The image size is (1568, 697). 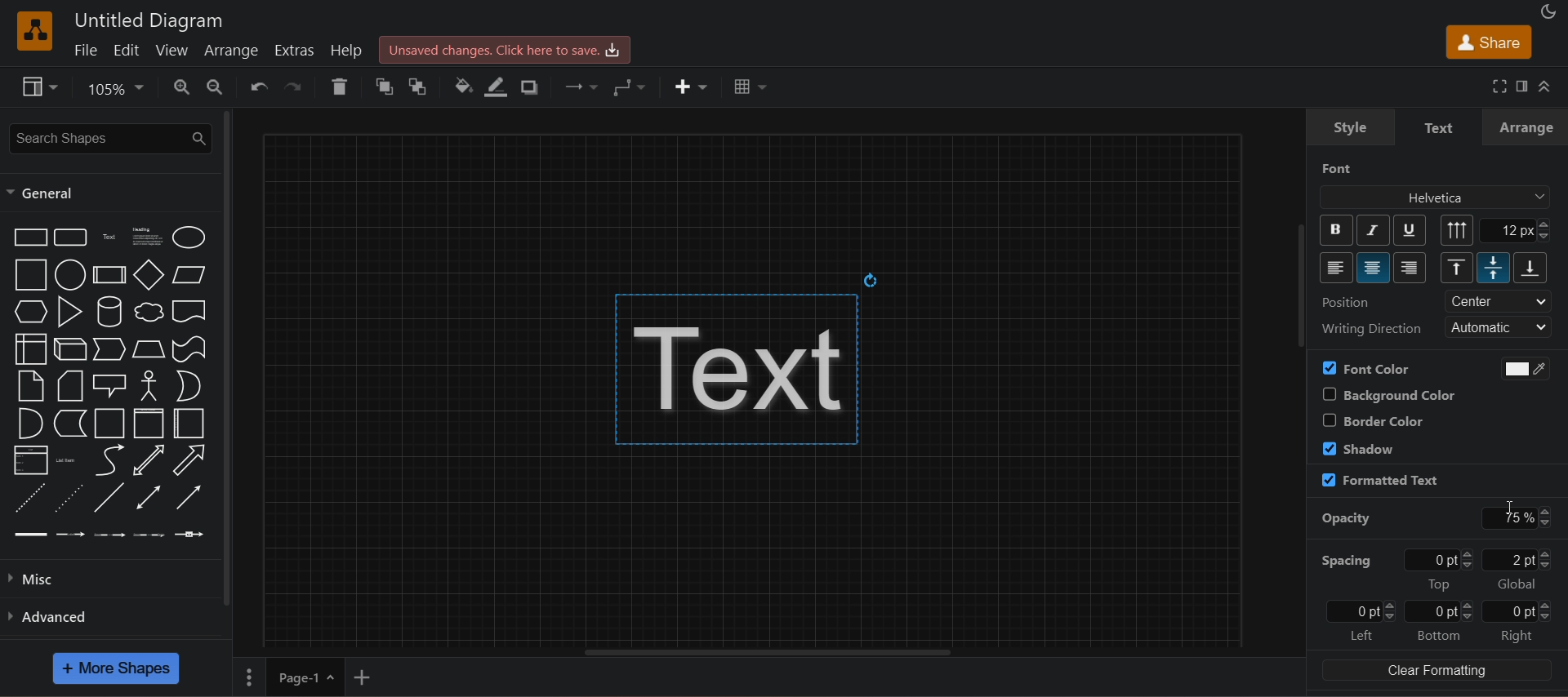 What do you see at coordinates (29, 311) in the screenshot?
I see `hexagon` at bounding box center [29, 311].